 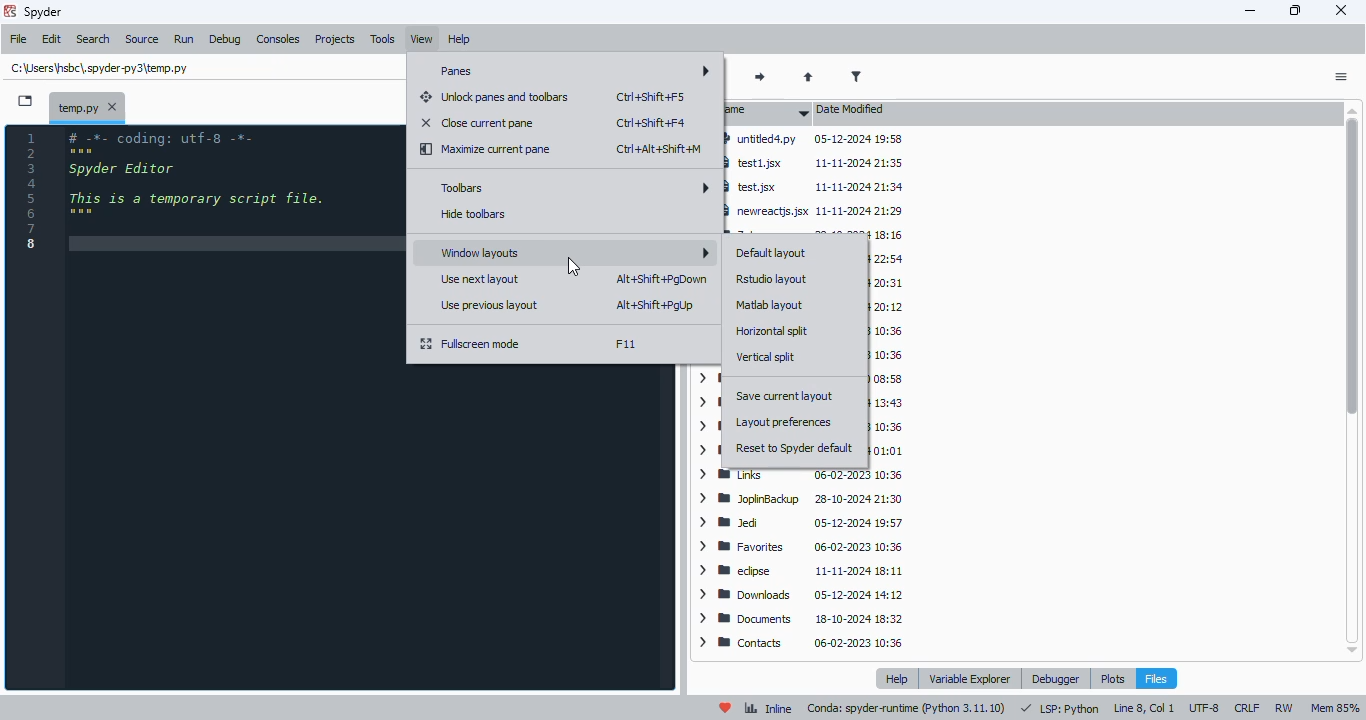 What do you see at coordinates (970, 678) in the screenshot?
I see `variable explorer` at bounding box center [970, 678].